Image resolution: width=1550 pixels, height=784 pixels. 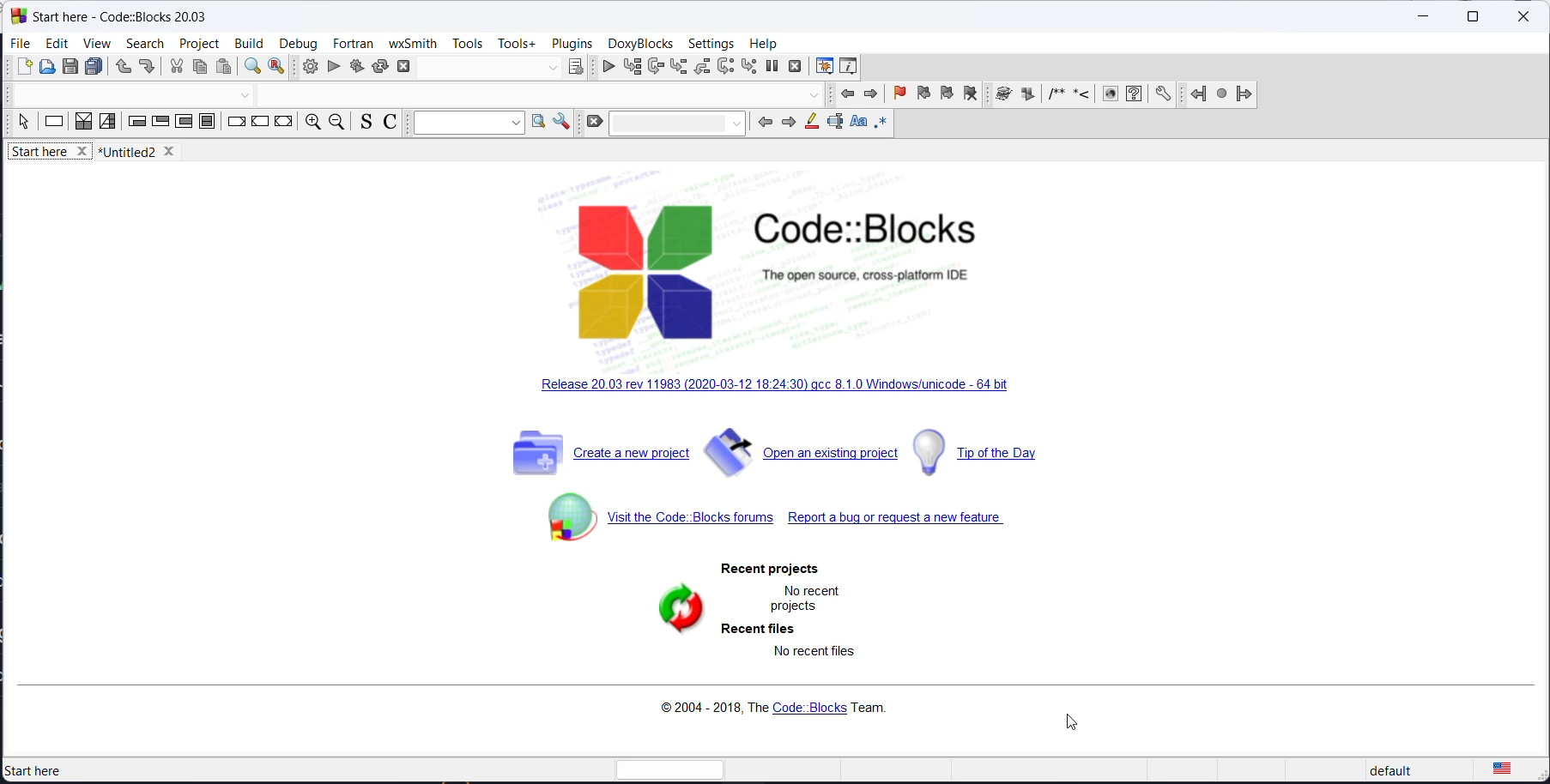 I want to click on add bookmark, so click(x=897, y=95).